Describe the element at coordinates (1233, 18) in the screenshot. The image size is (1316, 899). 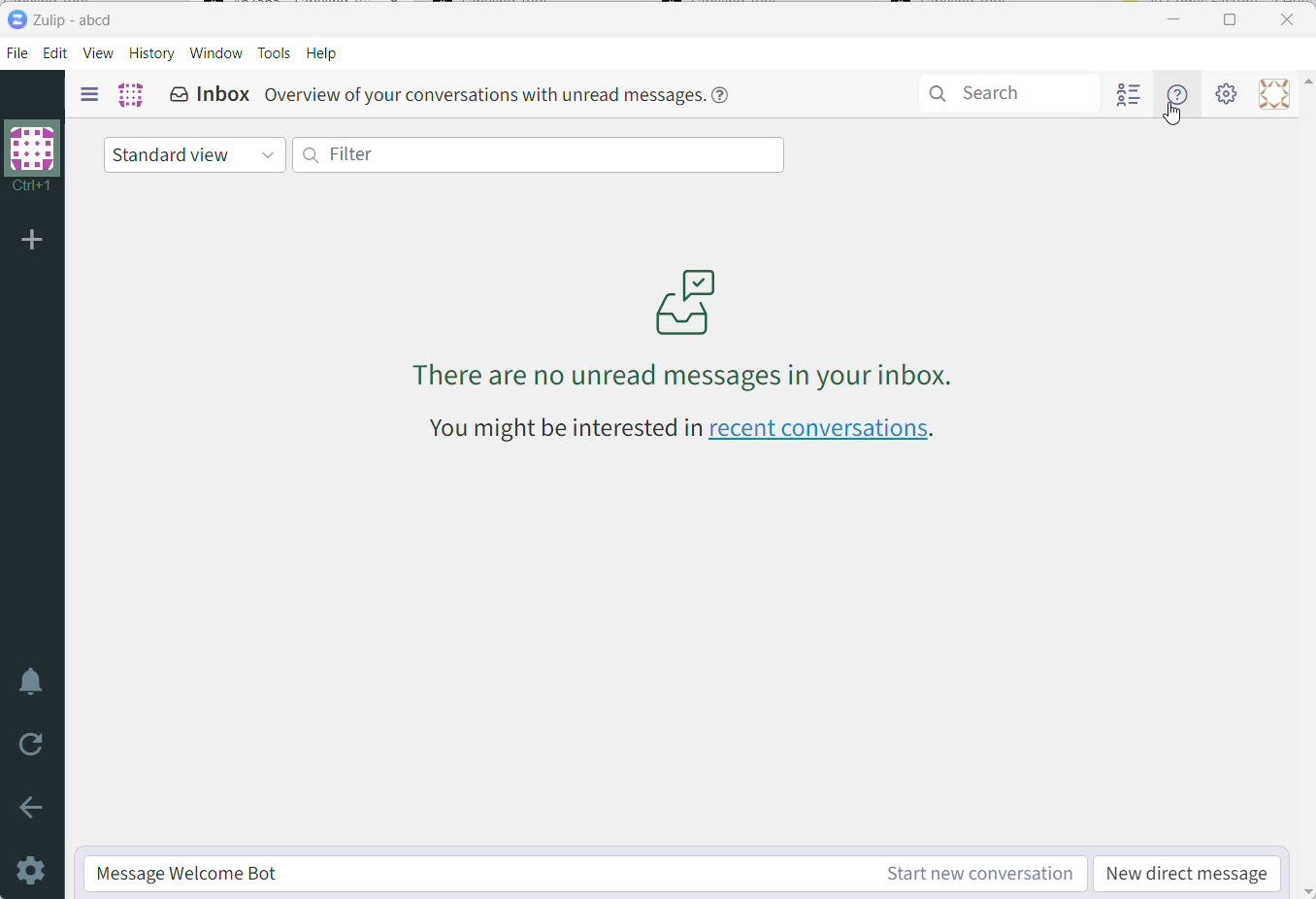
I see `Maximize` at that location.